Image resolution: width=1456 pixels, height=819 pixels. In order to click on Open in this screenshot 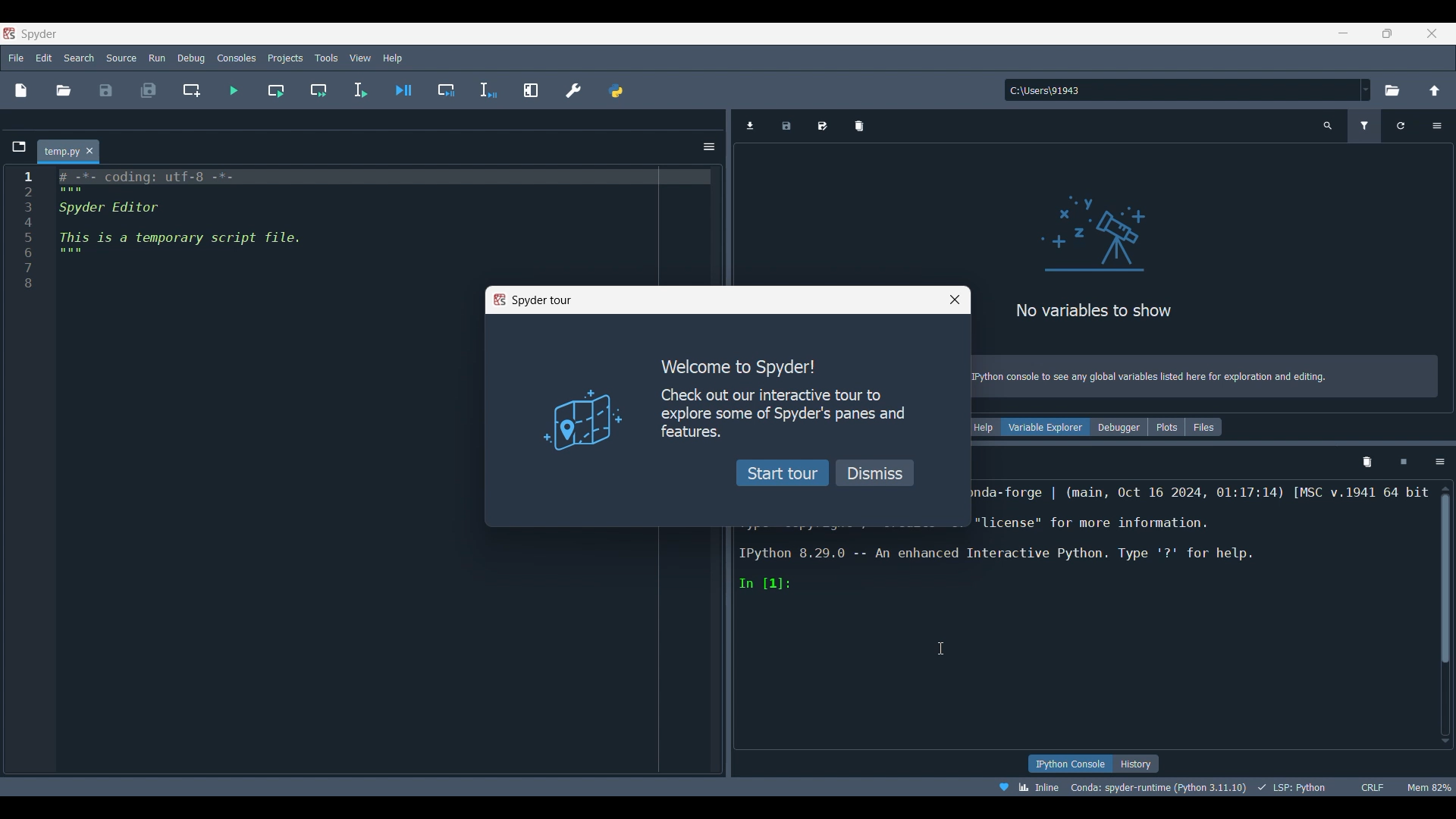, I will do `click(64, 90)`.